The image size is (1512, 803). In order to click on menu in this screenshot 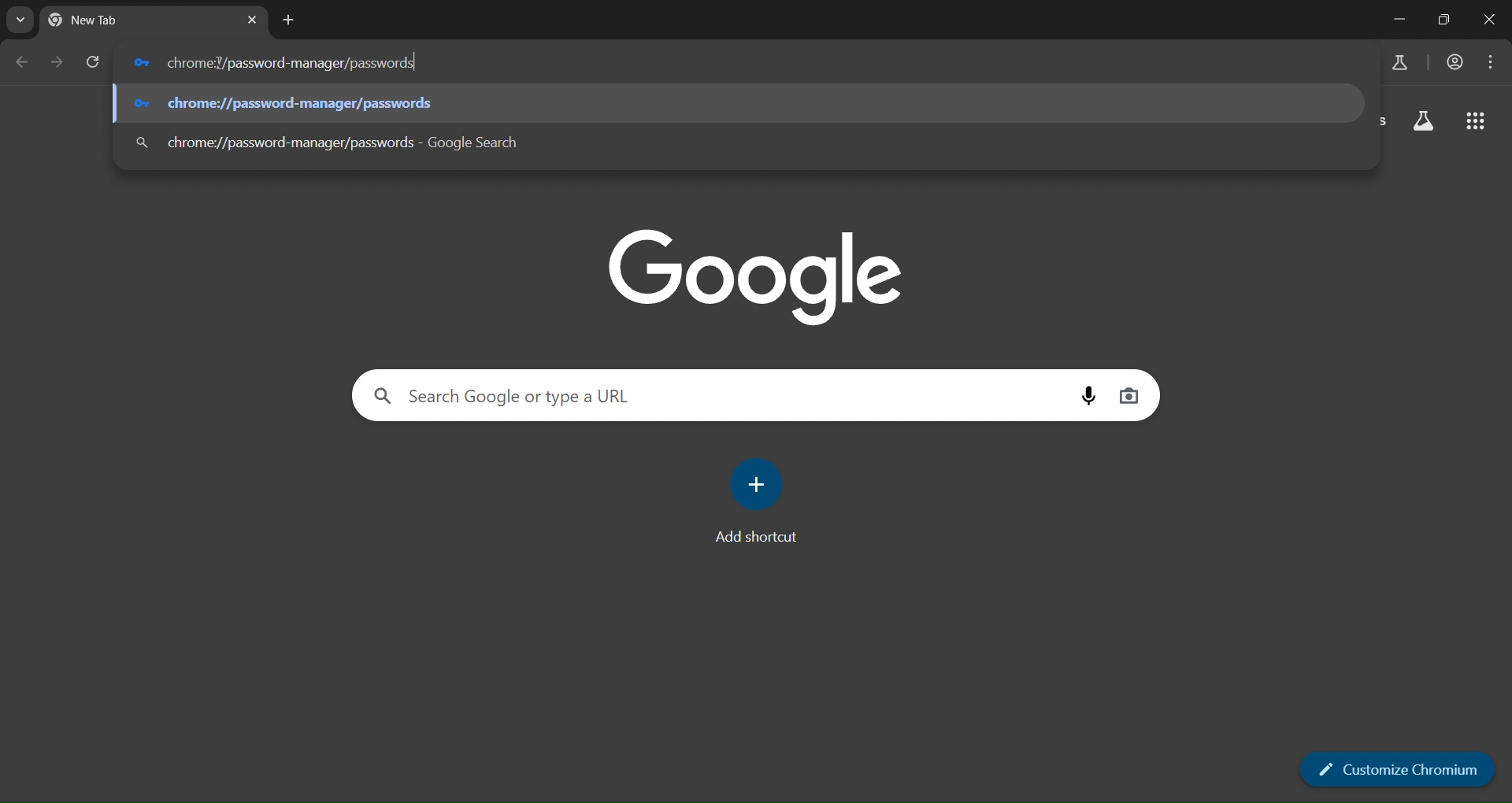, I will do `click(1489, 61)`.